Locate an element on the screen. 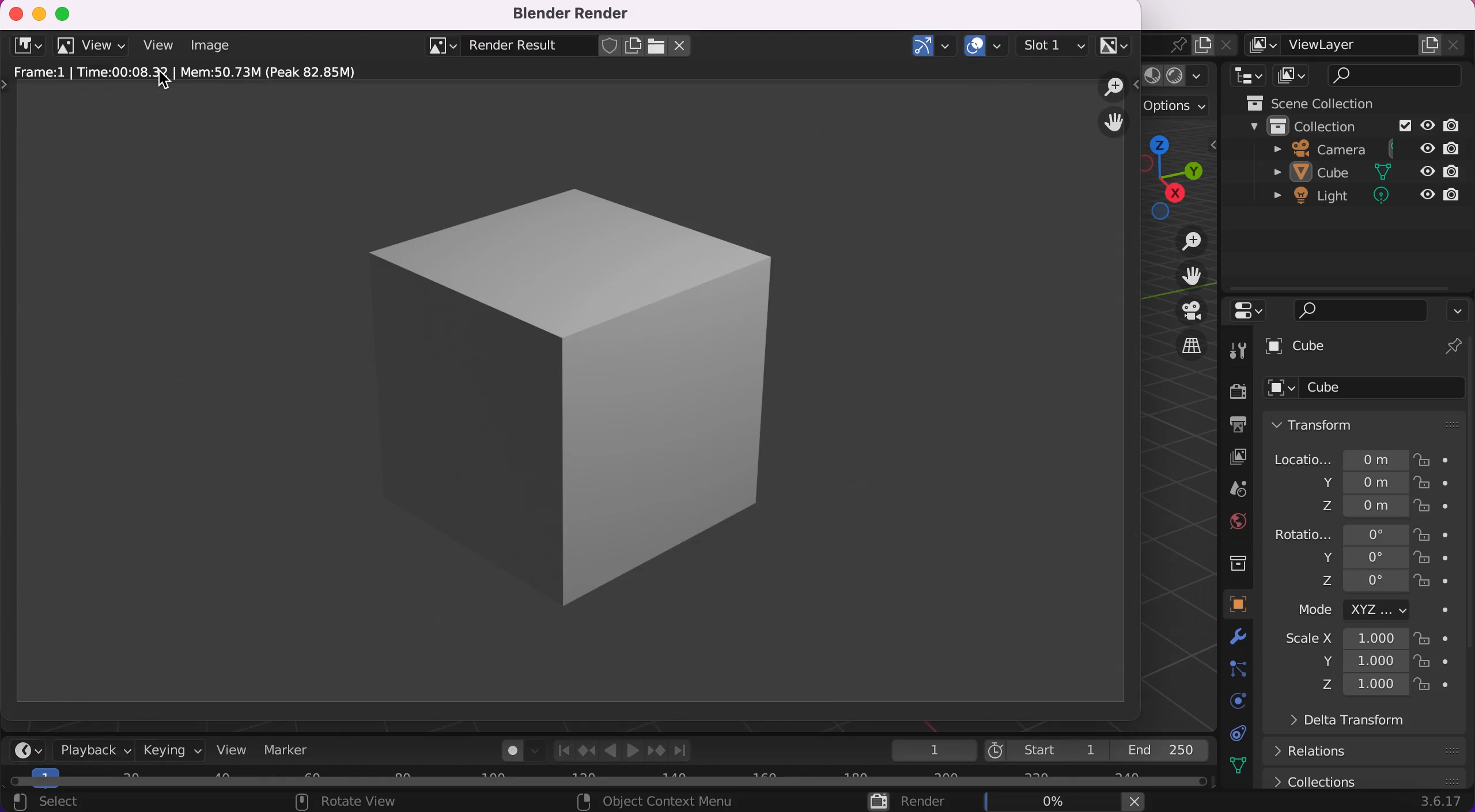 This screenshot has width=1475, height=812. frame: 1 is located at coordinates (196, 71).